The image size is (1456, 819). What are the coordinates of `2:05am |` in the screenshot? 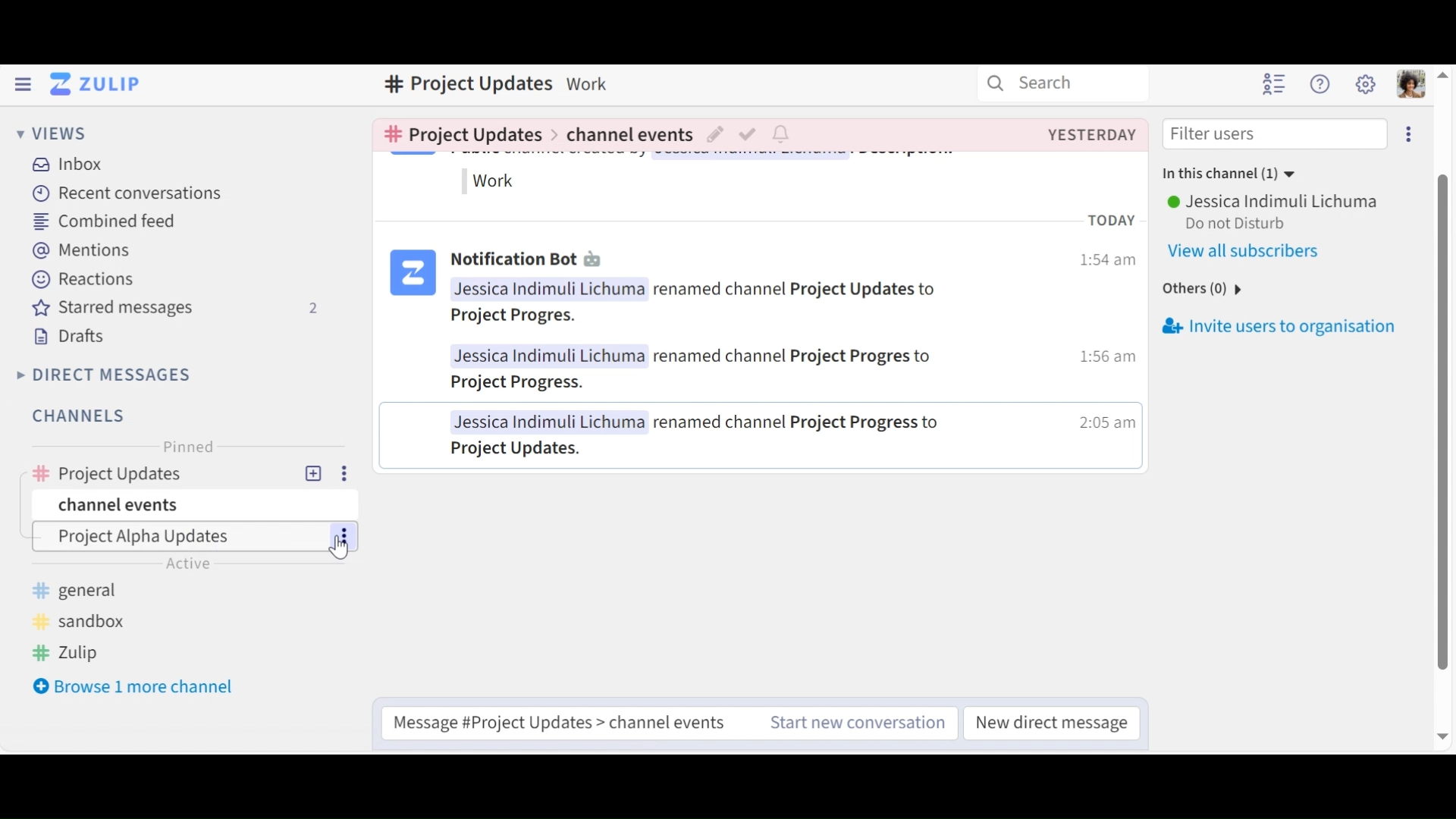 It's located at (1106, 427).